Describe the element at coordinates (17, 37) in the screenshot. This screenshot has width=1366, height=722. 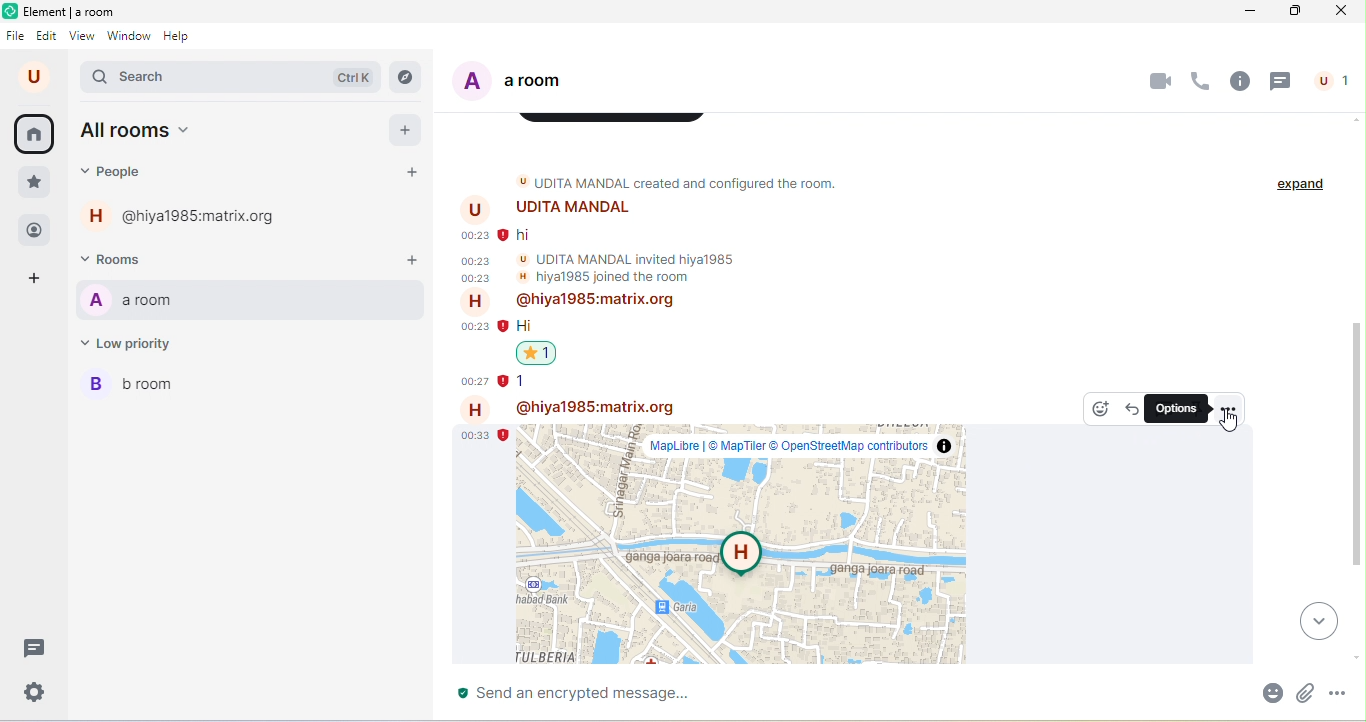
I see `file` at that location.